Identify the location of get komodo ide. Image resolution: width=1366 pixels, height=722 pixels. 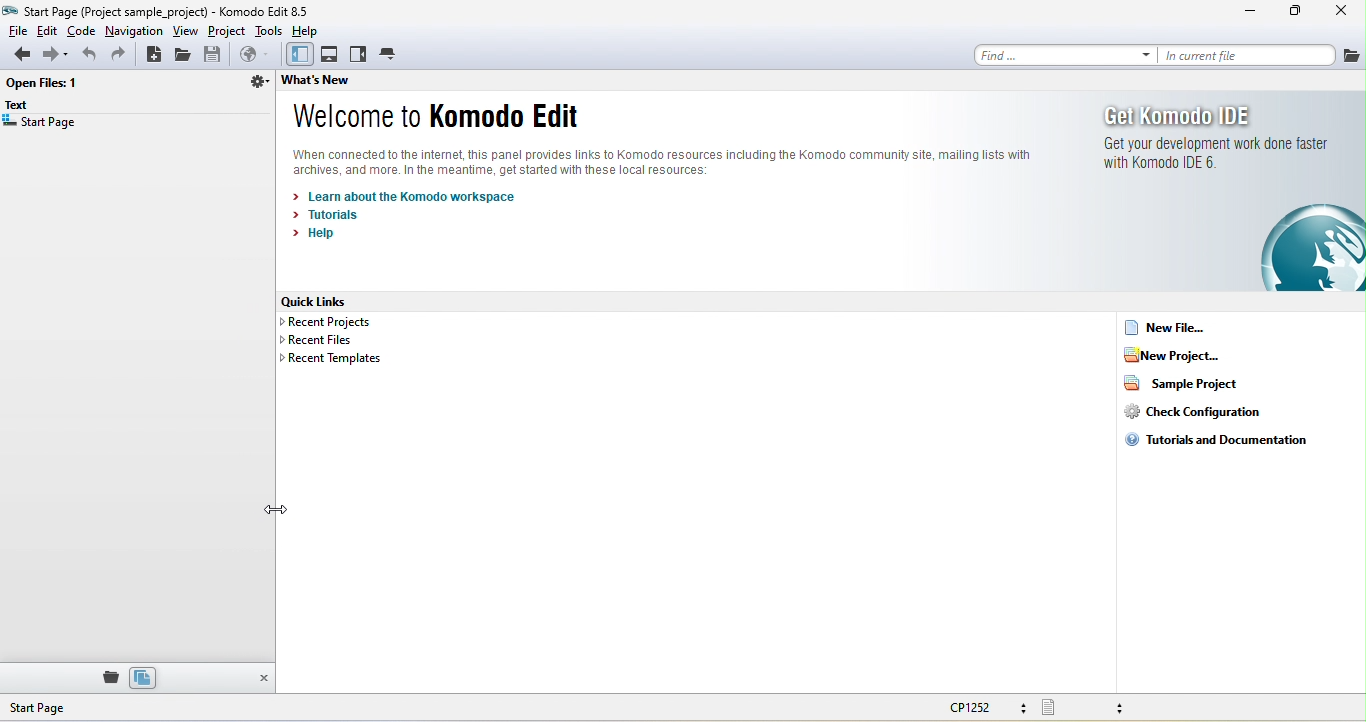
(1216, 145).